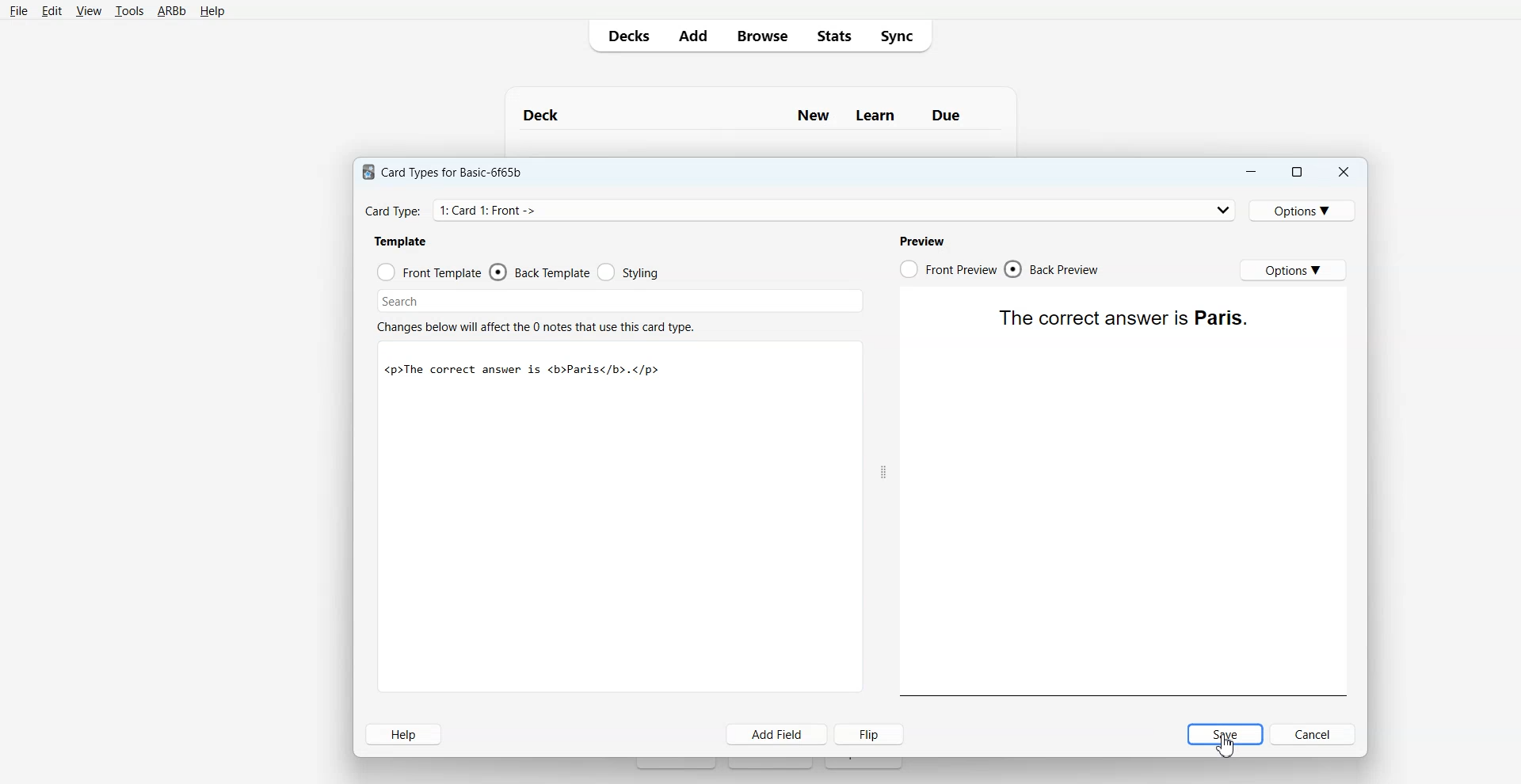  I want to click on Browse, so click(760, 36).